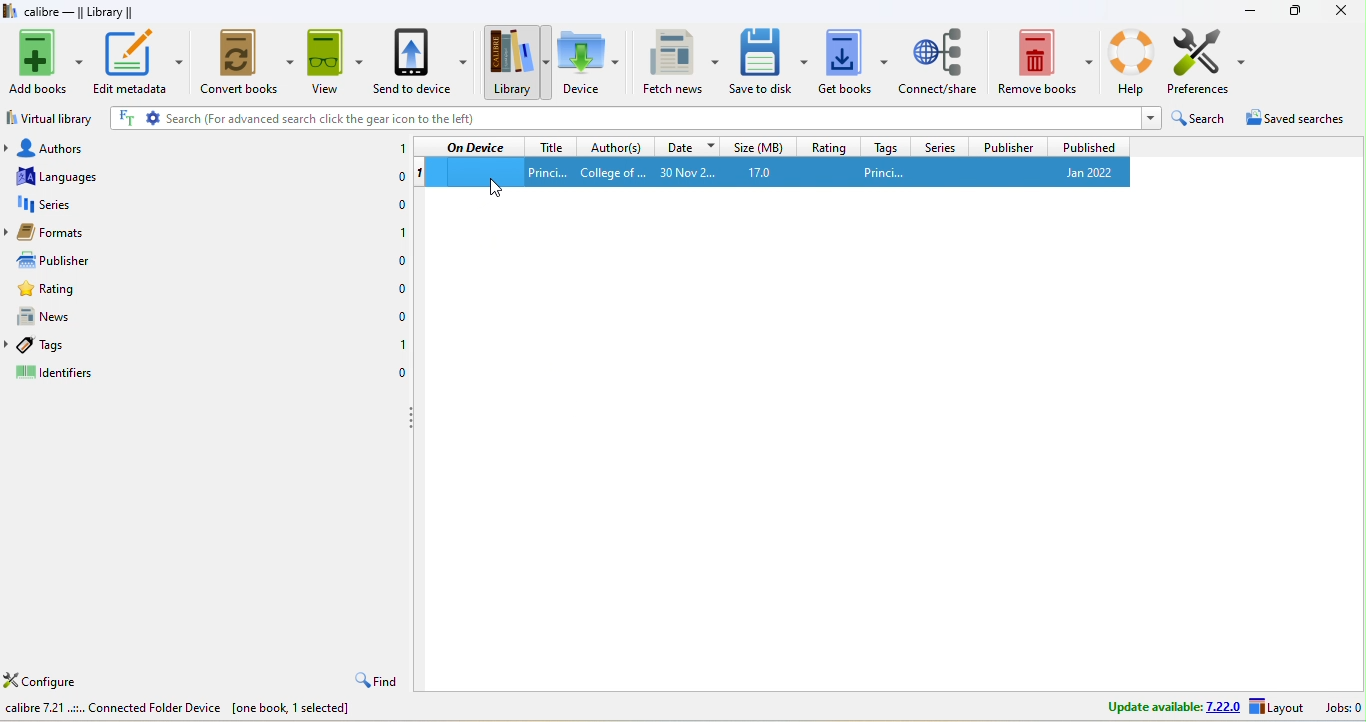  What do you see at coordinates (1160, 706) in the screenshot?
I see `update avalable 7.22.0` at bounding box center [1160, 706].